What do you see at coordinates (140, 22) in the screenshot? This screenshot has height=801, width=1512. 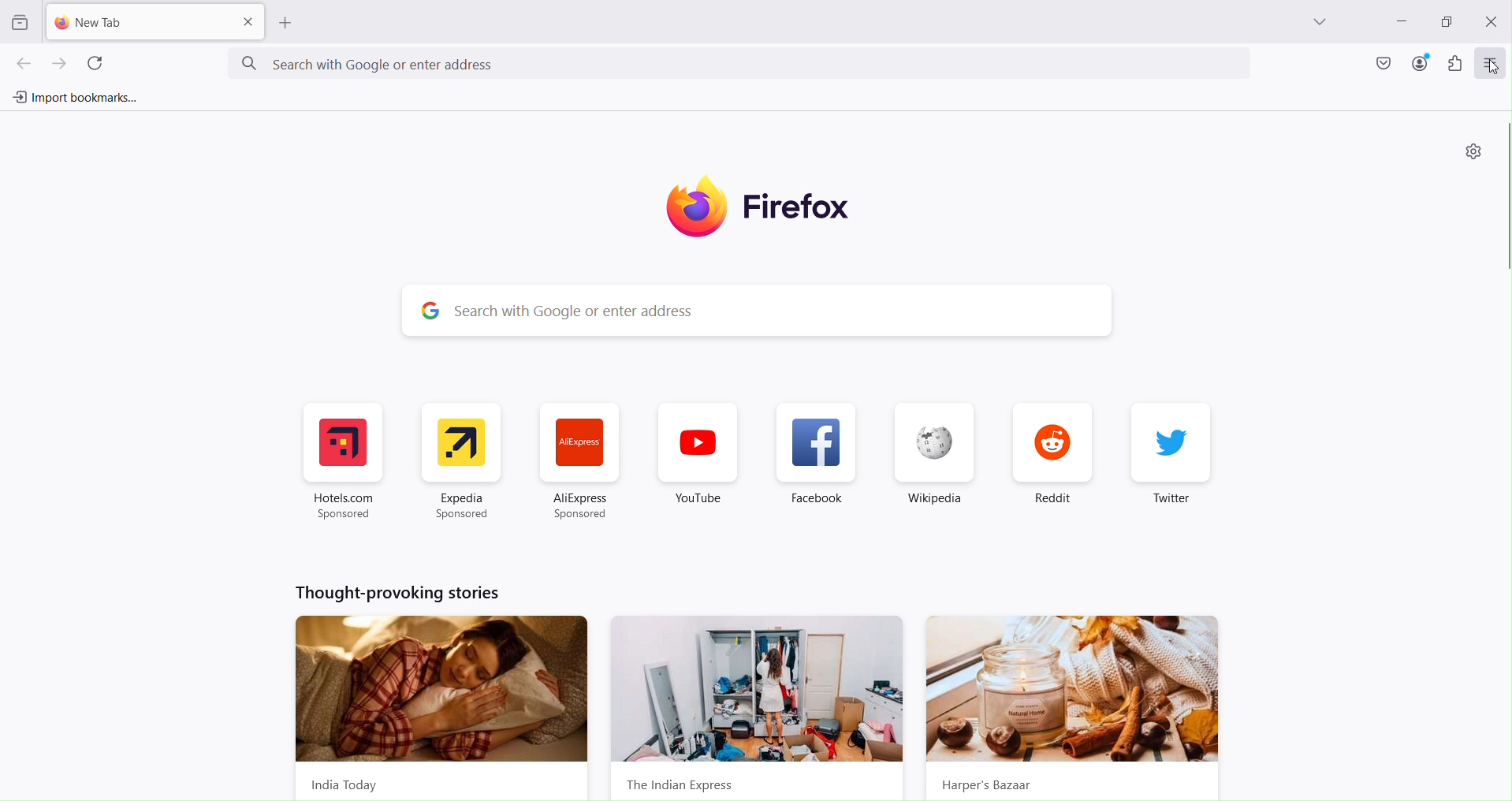 I see `Add new tab` at bounding box center [140, 22].